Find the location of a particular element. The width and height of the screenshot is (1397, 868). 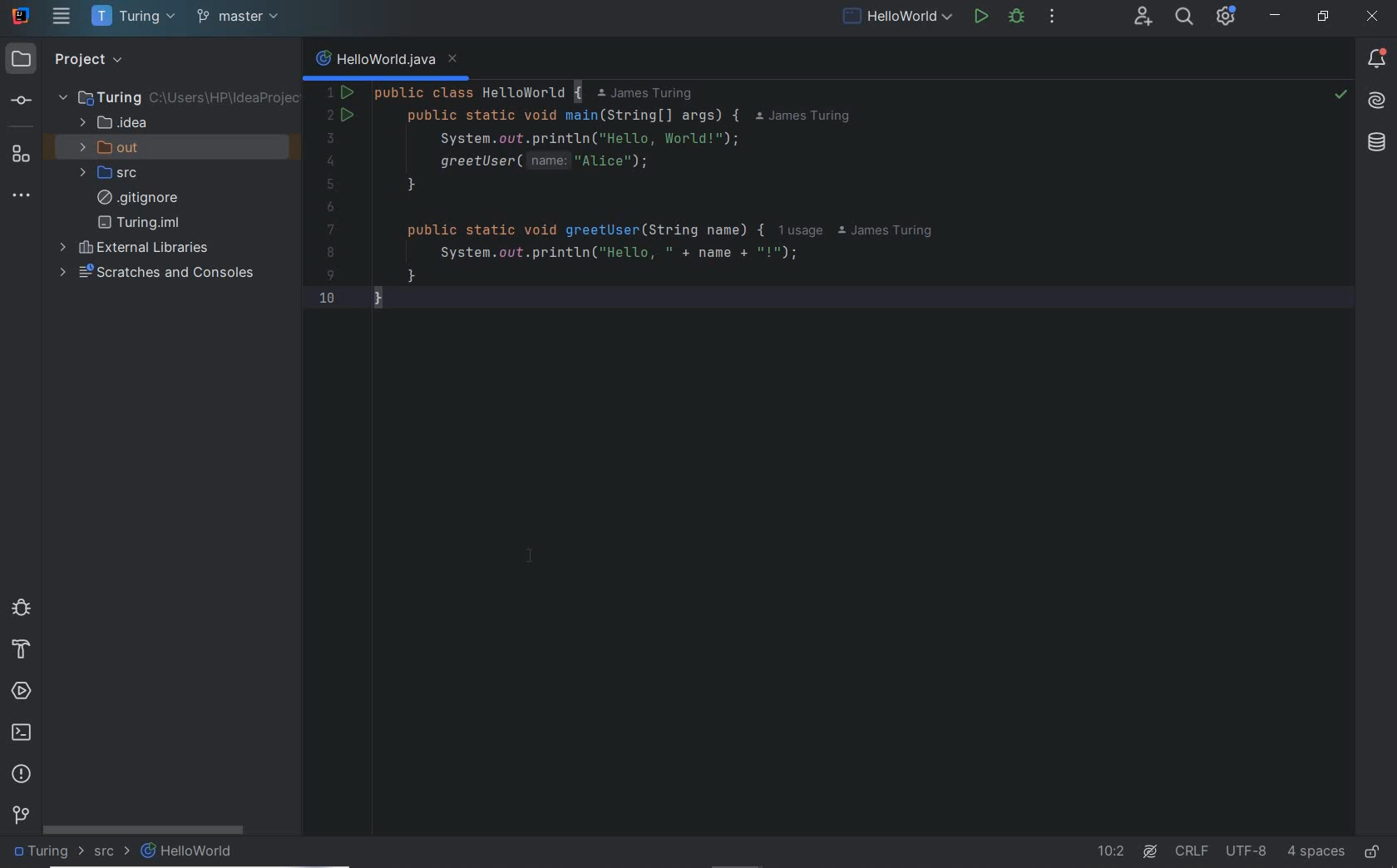

4 spaces(INDENT) is located at coordinates (1316, 850).